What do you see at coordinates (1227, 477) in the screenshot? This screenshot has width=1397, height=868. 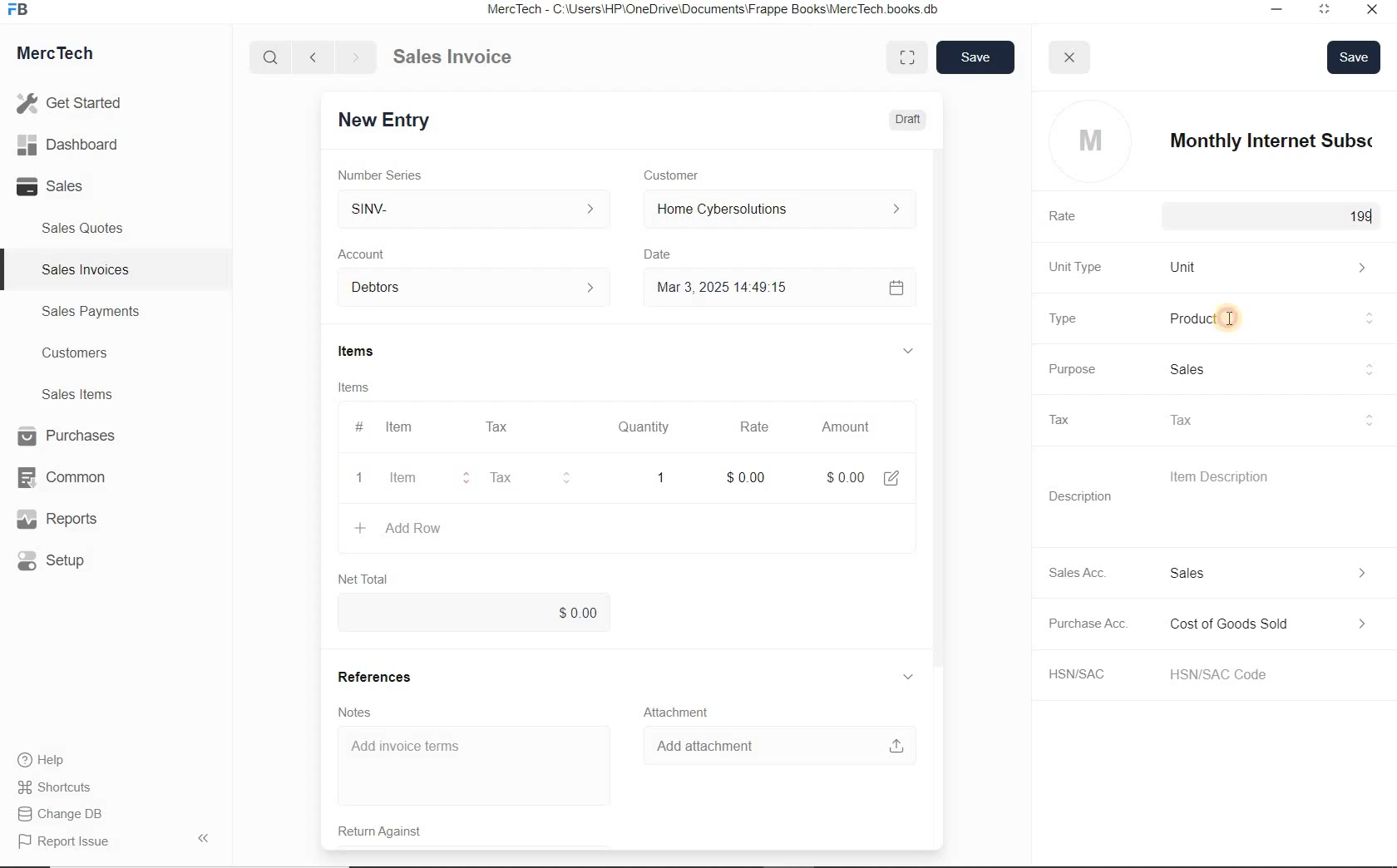 I see `Item Description` at bounding box center [1227, 477].